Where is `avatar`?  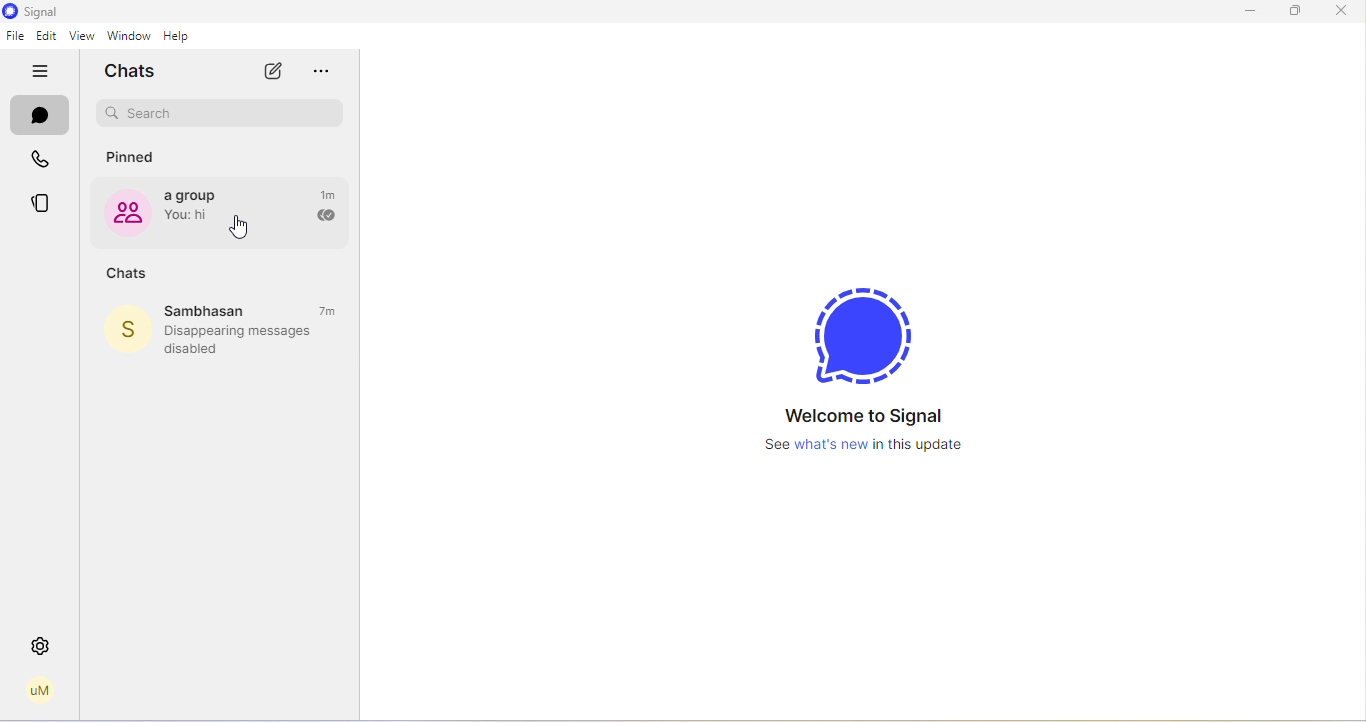 avatar is located at coordinates (124, 331).